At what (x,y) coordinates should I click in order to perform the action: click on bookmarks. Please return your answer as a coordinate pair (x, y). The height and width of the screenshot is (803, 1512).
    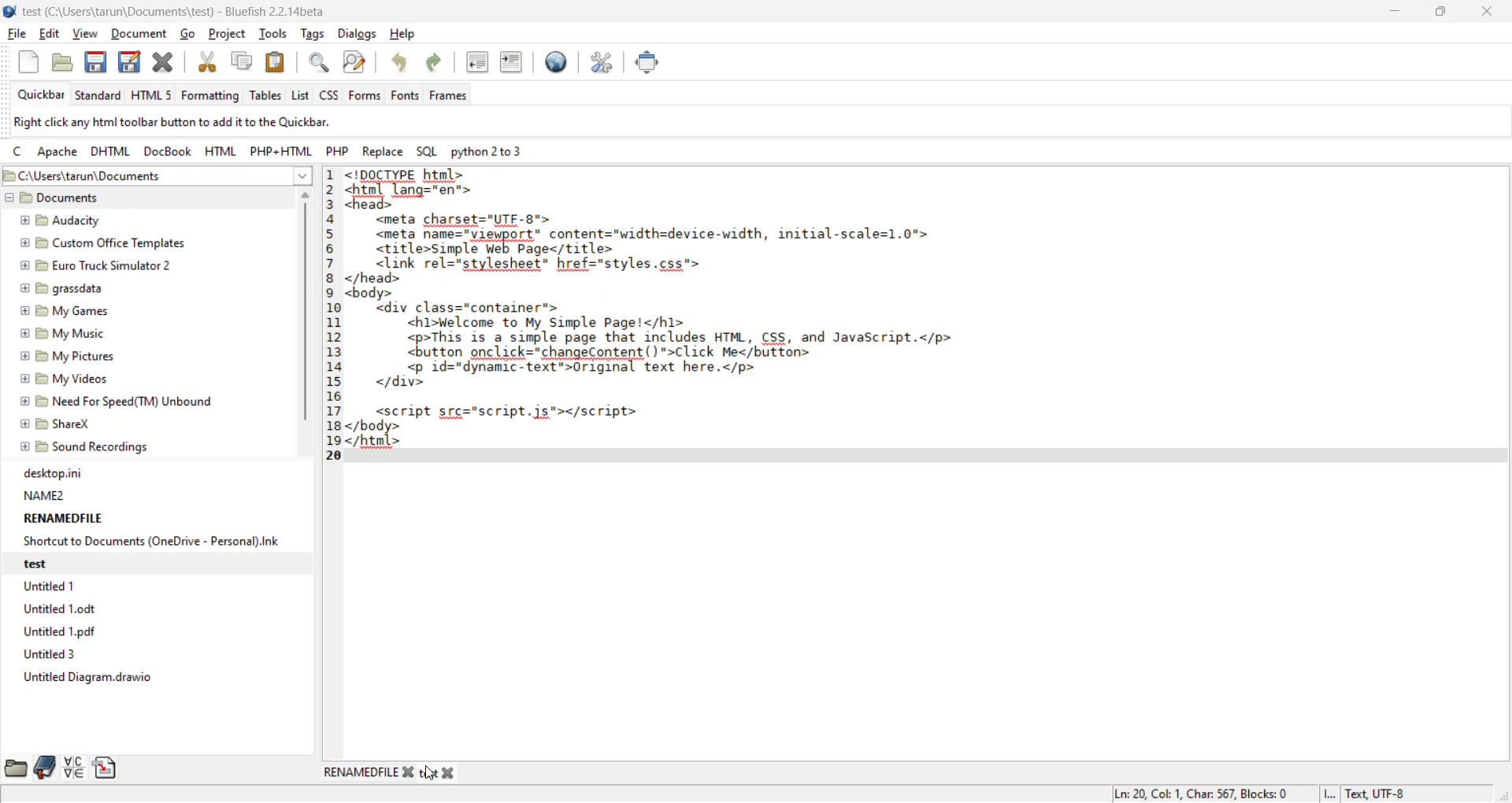
    Looking at the image, I should click on (43, 771).